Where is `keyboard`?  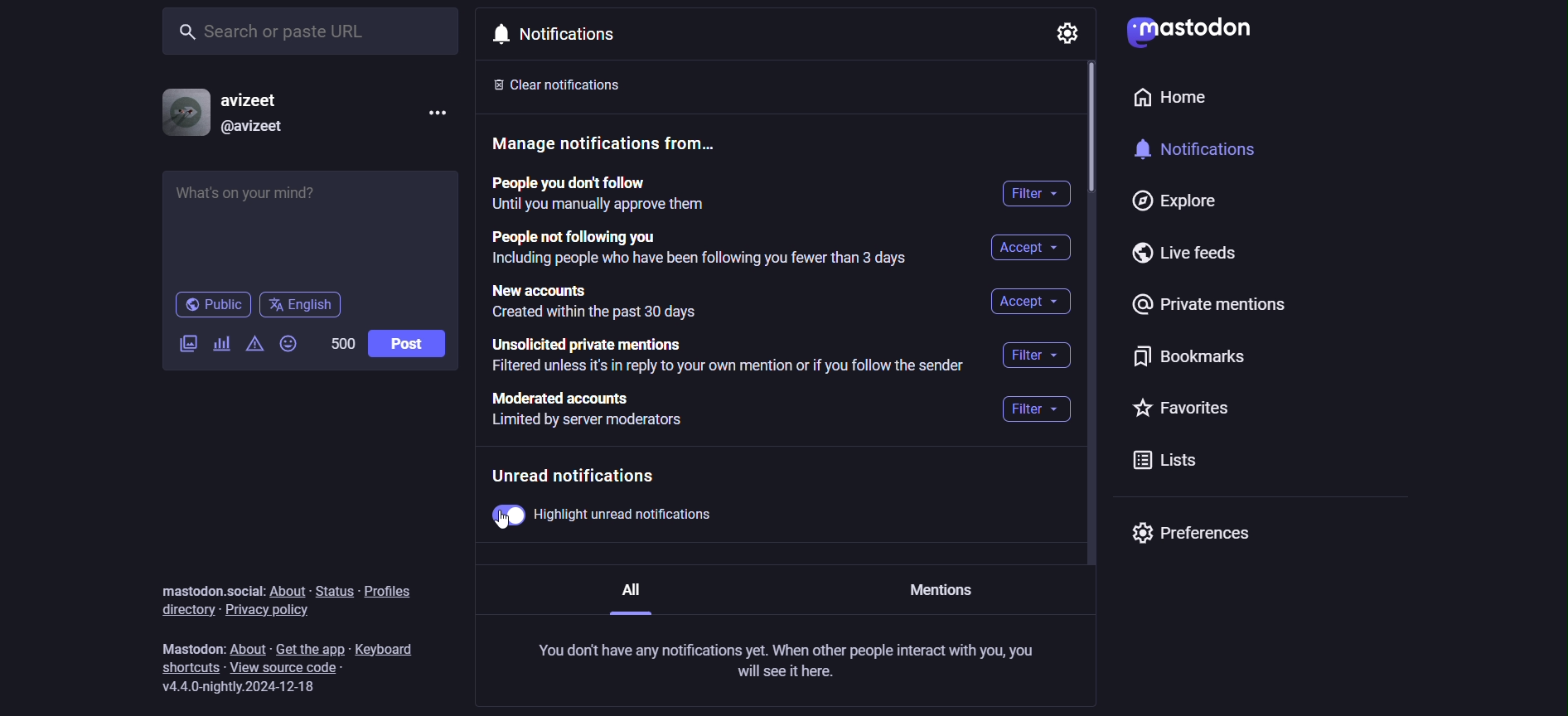
keyboard is located at coordinates (394, 645).